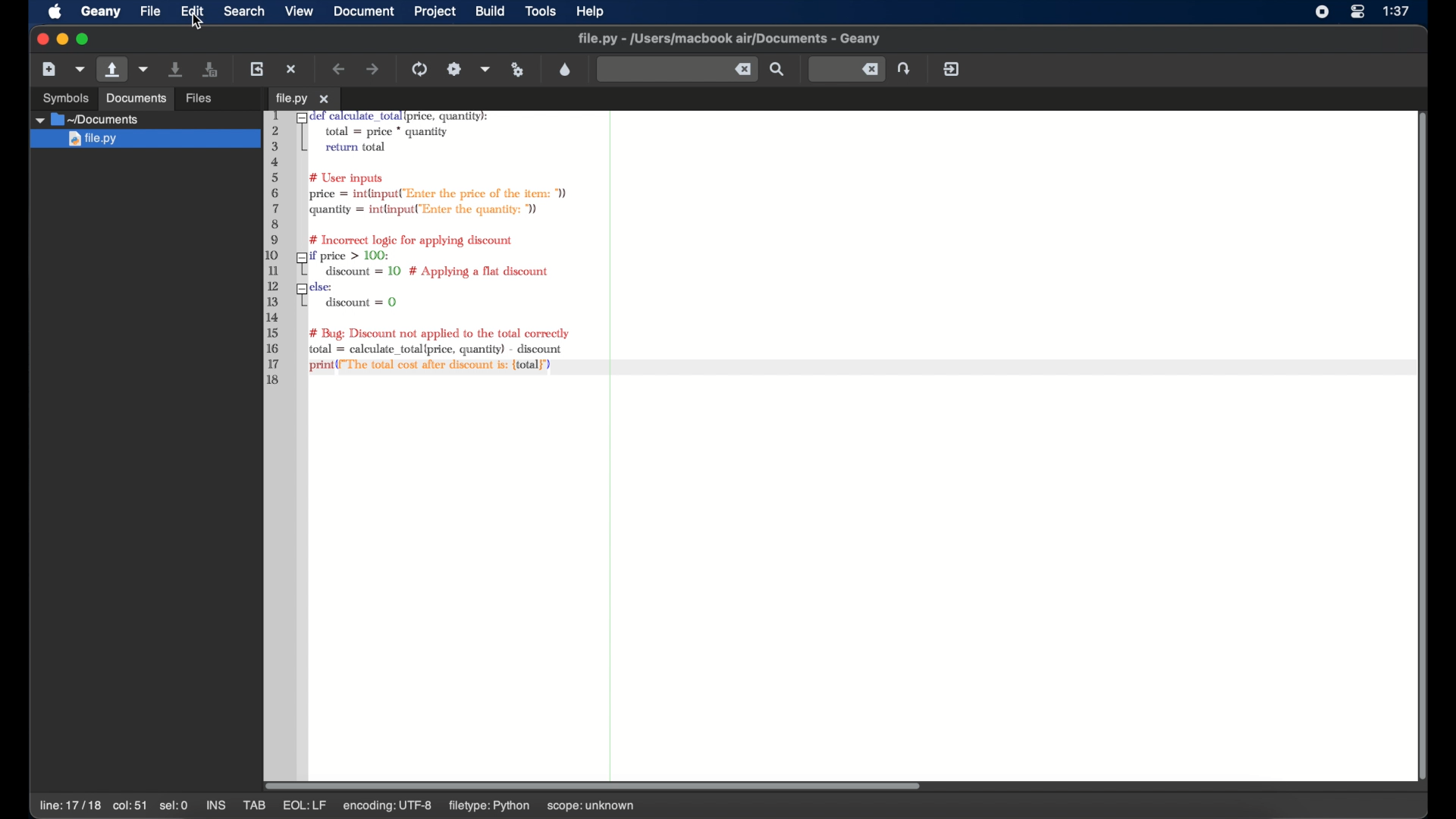 This screenshot has width=1456, height=819. I want to click on file.py, so click(302, 99).